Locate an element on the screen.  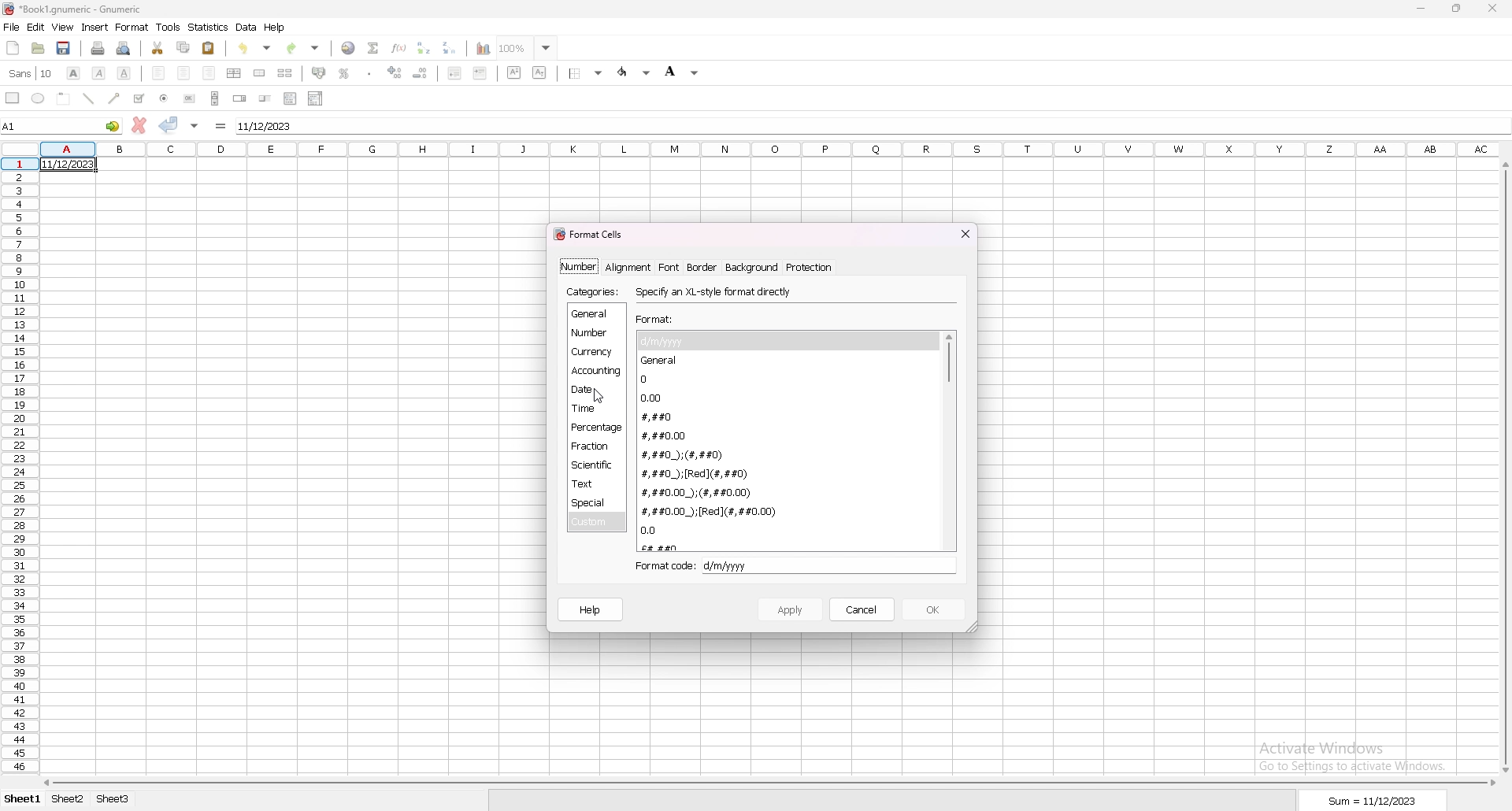
#,##0 is located at coordinates (661, 417).